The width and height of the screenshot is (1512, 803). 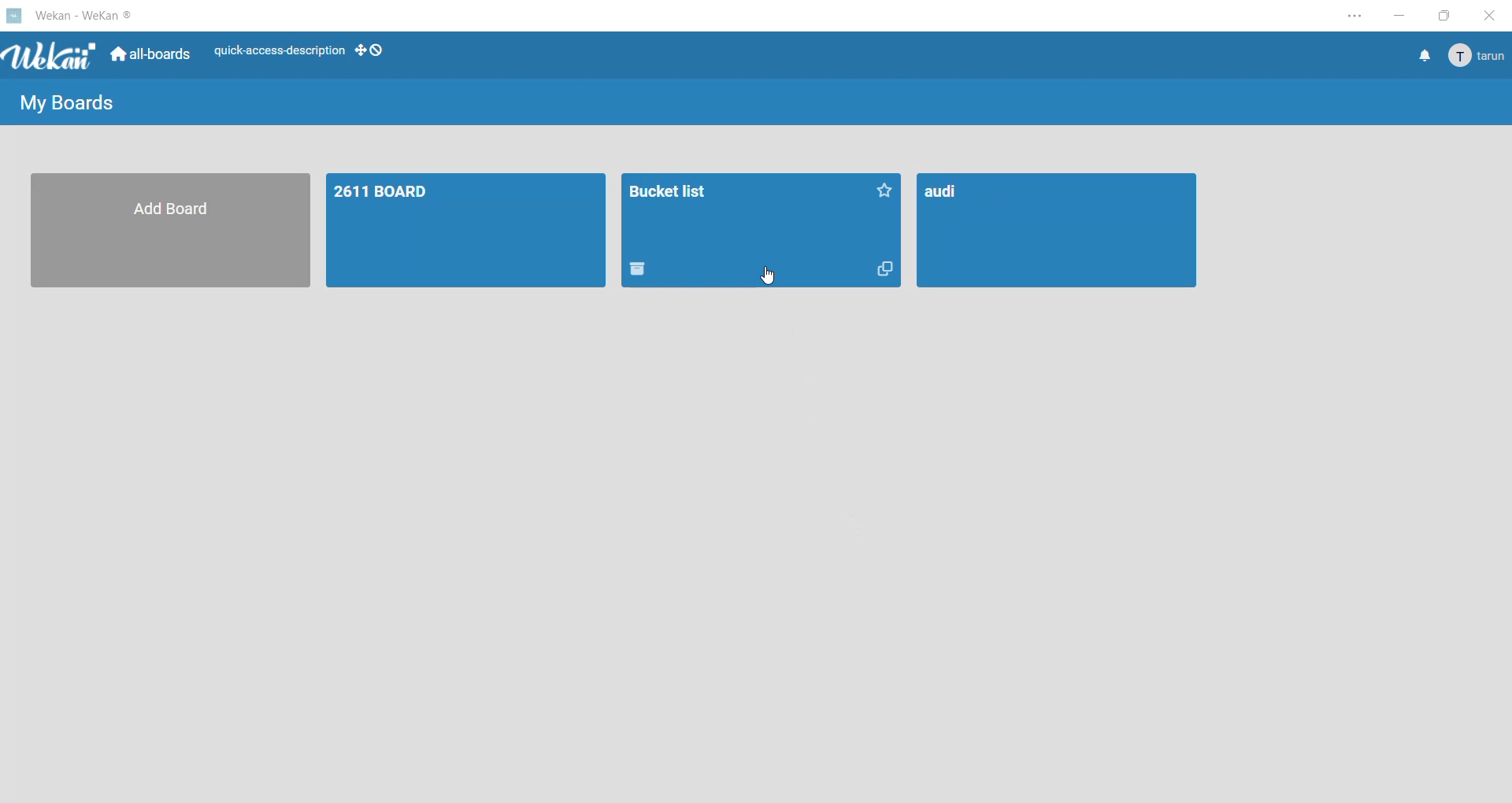 I want to click on Delete, so click(x=643, y=274).